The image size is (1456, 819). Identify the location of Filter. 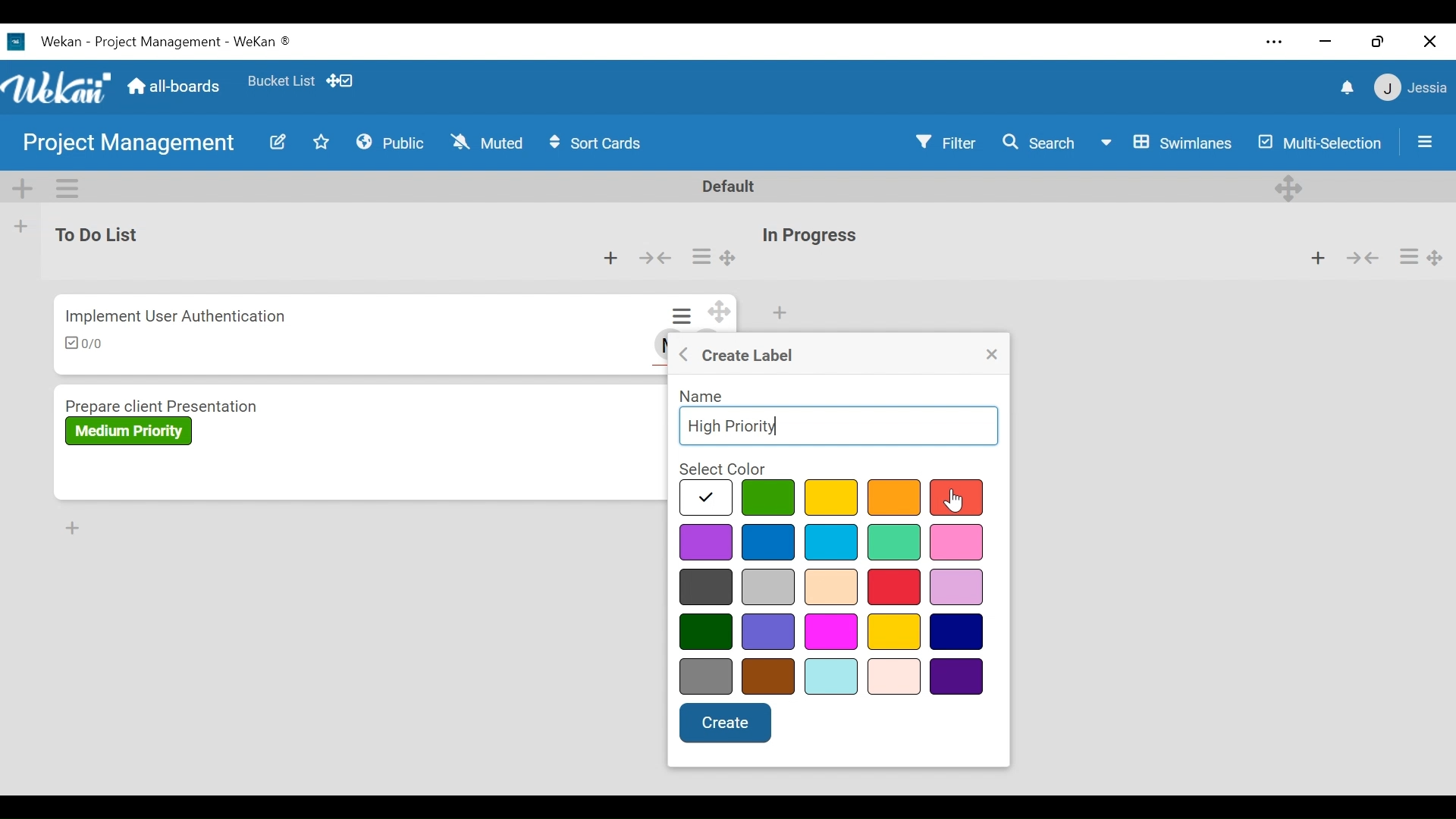
(948, 142).